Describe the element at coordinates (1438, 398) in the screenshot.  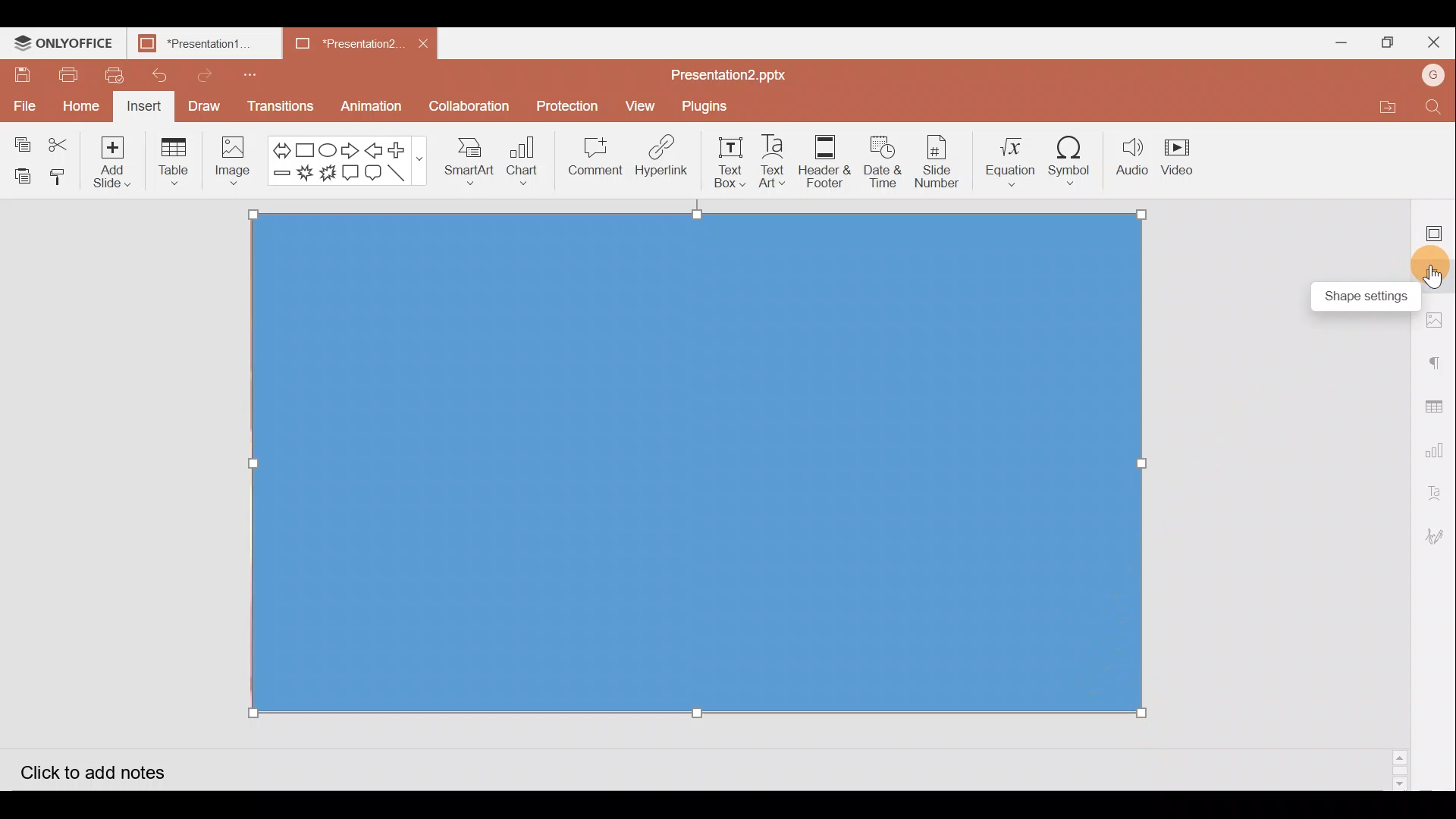
I see `Table settings` at that location.